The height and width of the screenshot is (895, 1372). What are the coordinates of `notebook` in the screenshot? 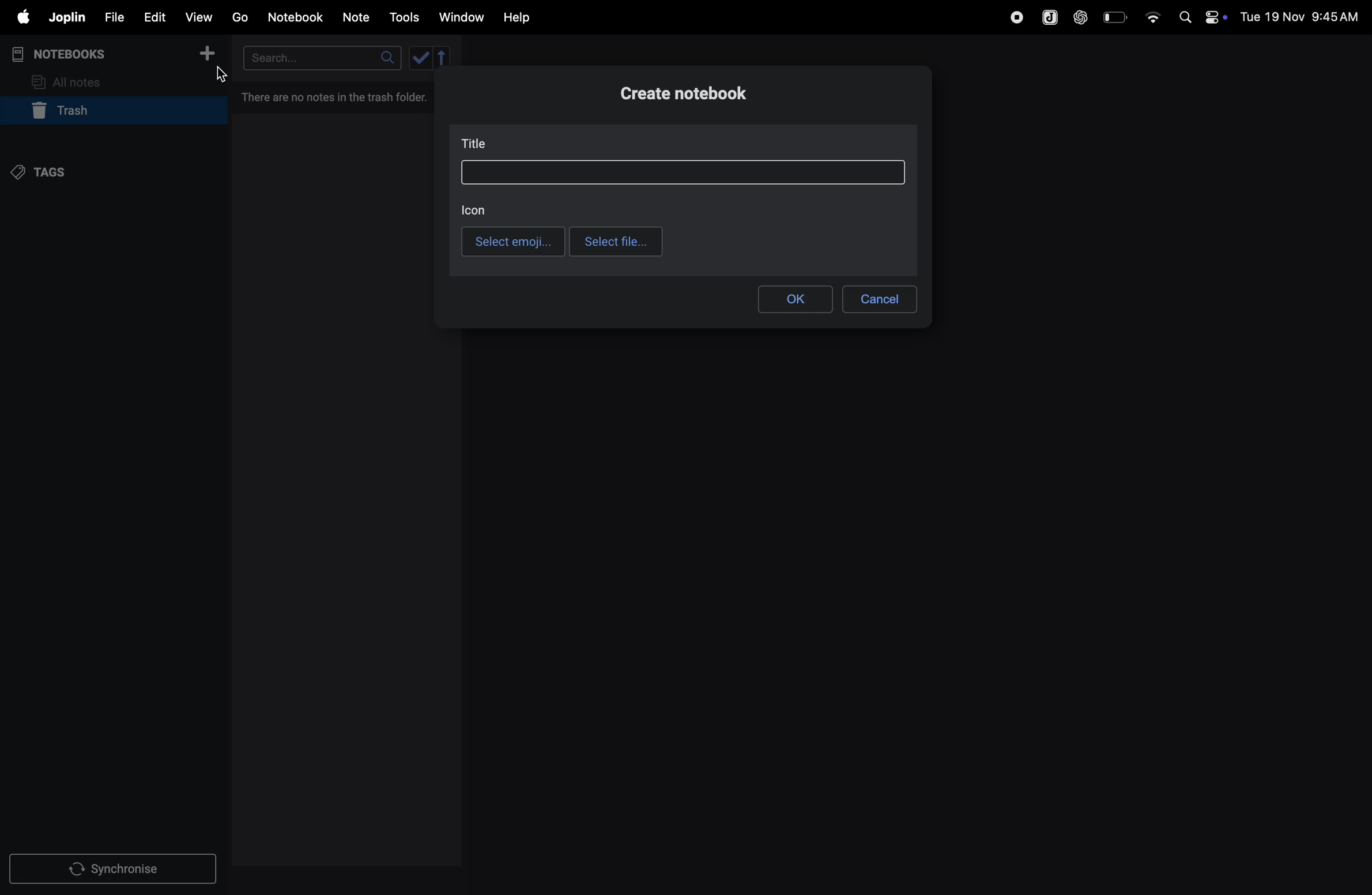 It's located at (297, 16).